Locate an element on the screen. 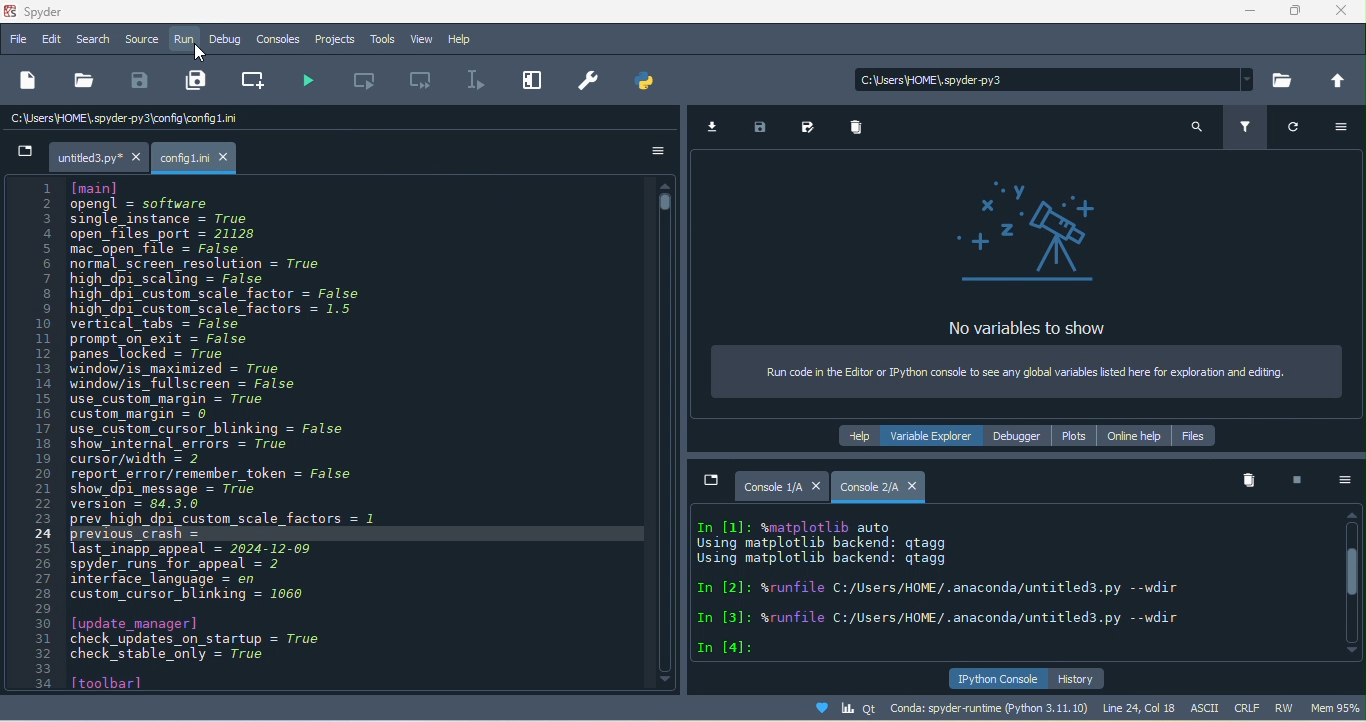  consoles is located at coordinates (279, 41).